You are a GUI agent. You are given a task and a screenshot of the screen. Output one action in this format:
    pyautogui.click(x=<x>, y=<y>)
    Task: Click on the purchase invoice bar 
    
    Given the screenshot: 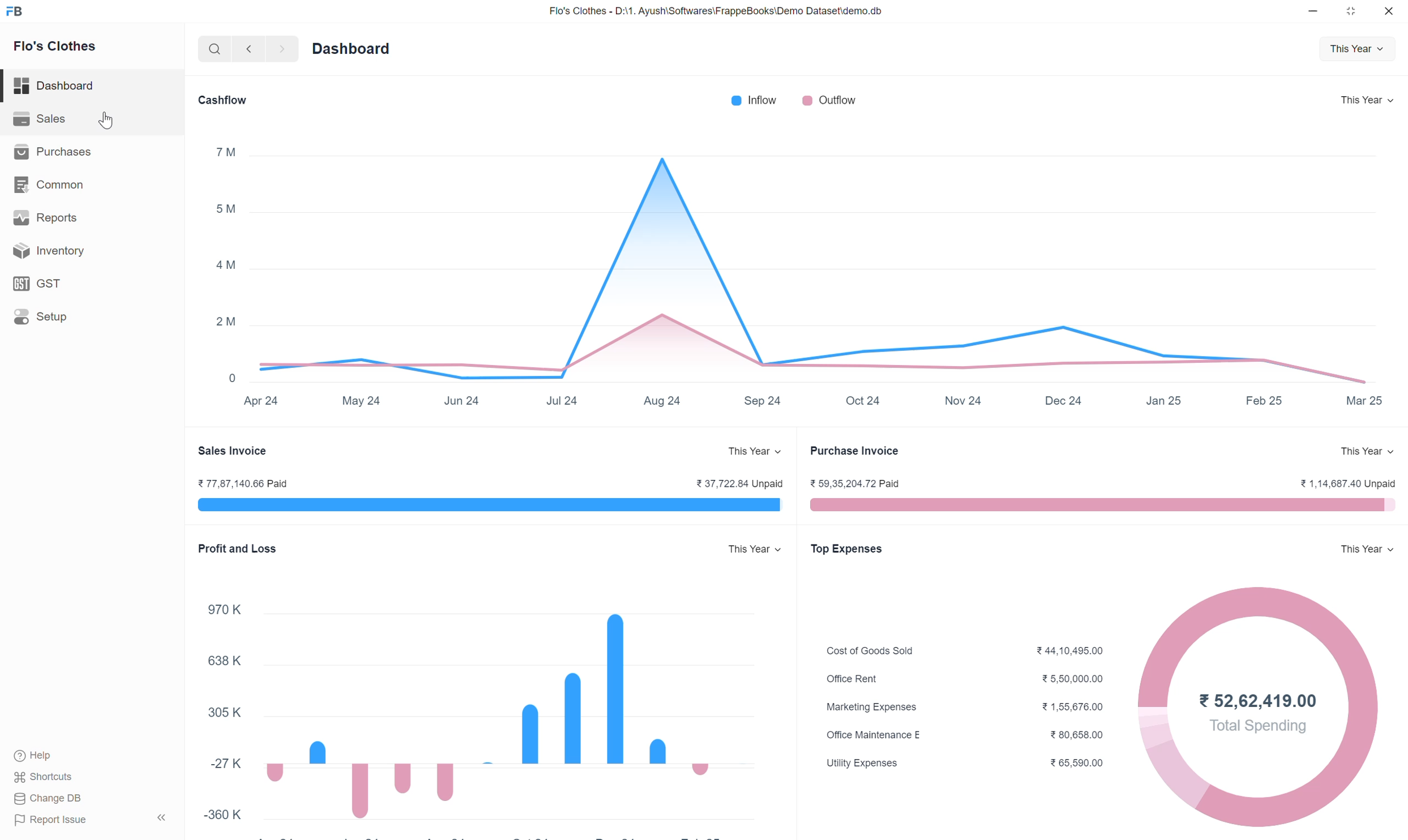 What is the action you would take?
    pyautogui.click(x=1098, y=506)
    